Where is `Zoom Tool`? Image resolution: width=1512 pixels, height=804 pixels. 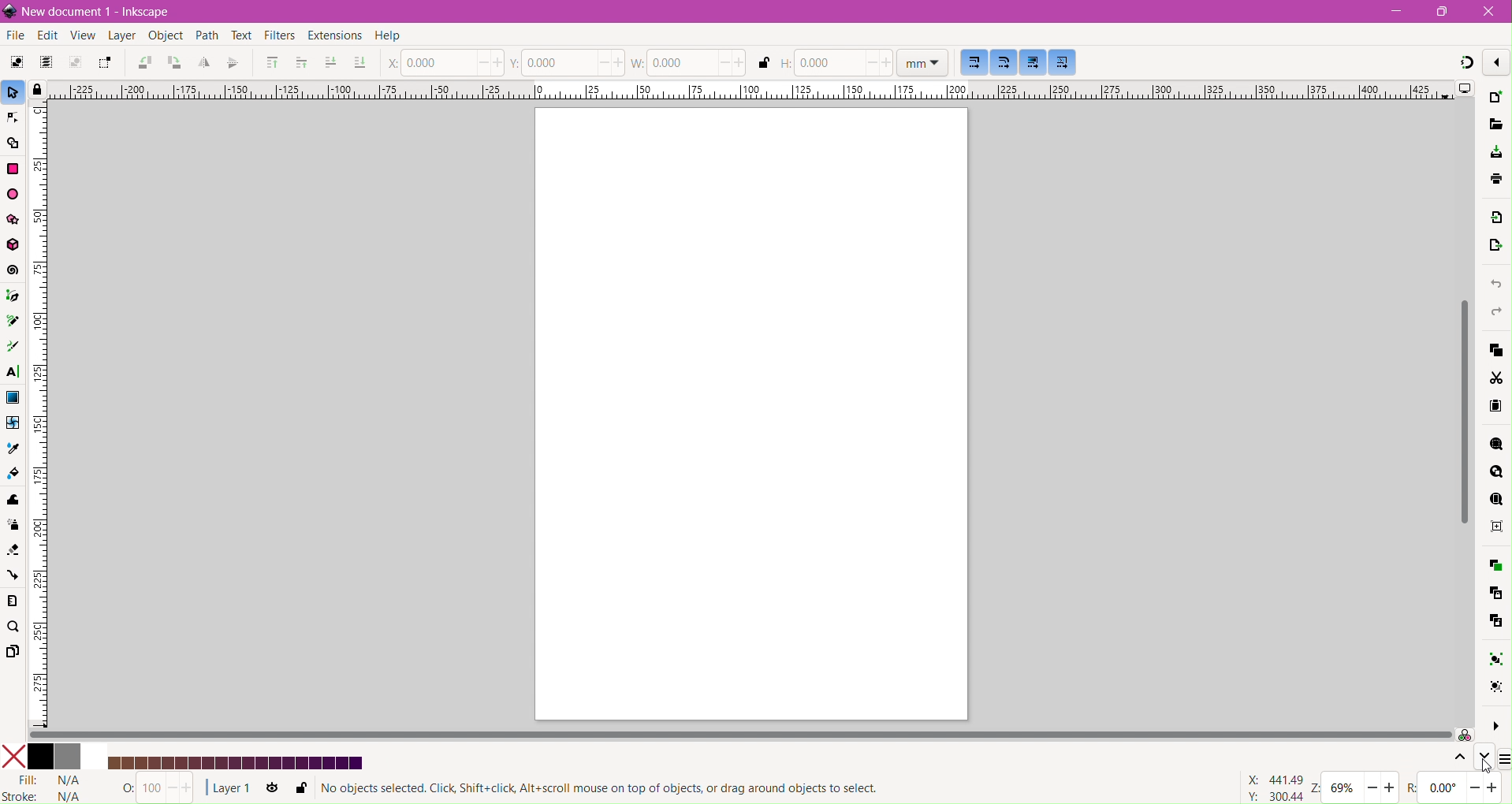 Zoom Tool is located at coordinates (16, 628).